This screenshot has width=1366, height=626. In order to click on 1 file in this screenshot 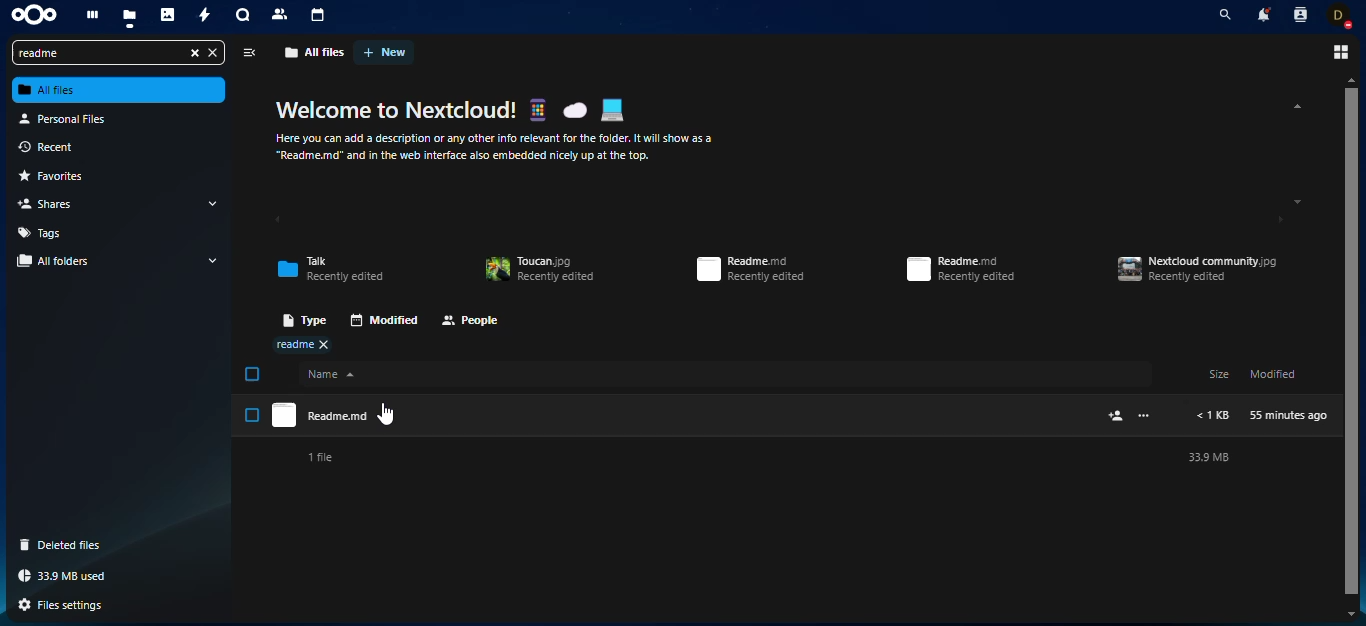, I will do `click(319, 458)`.